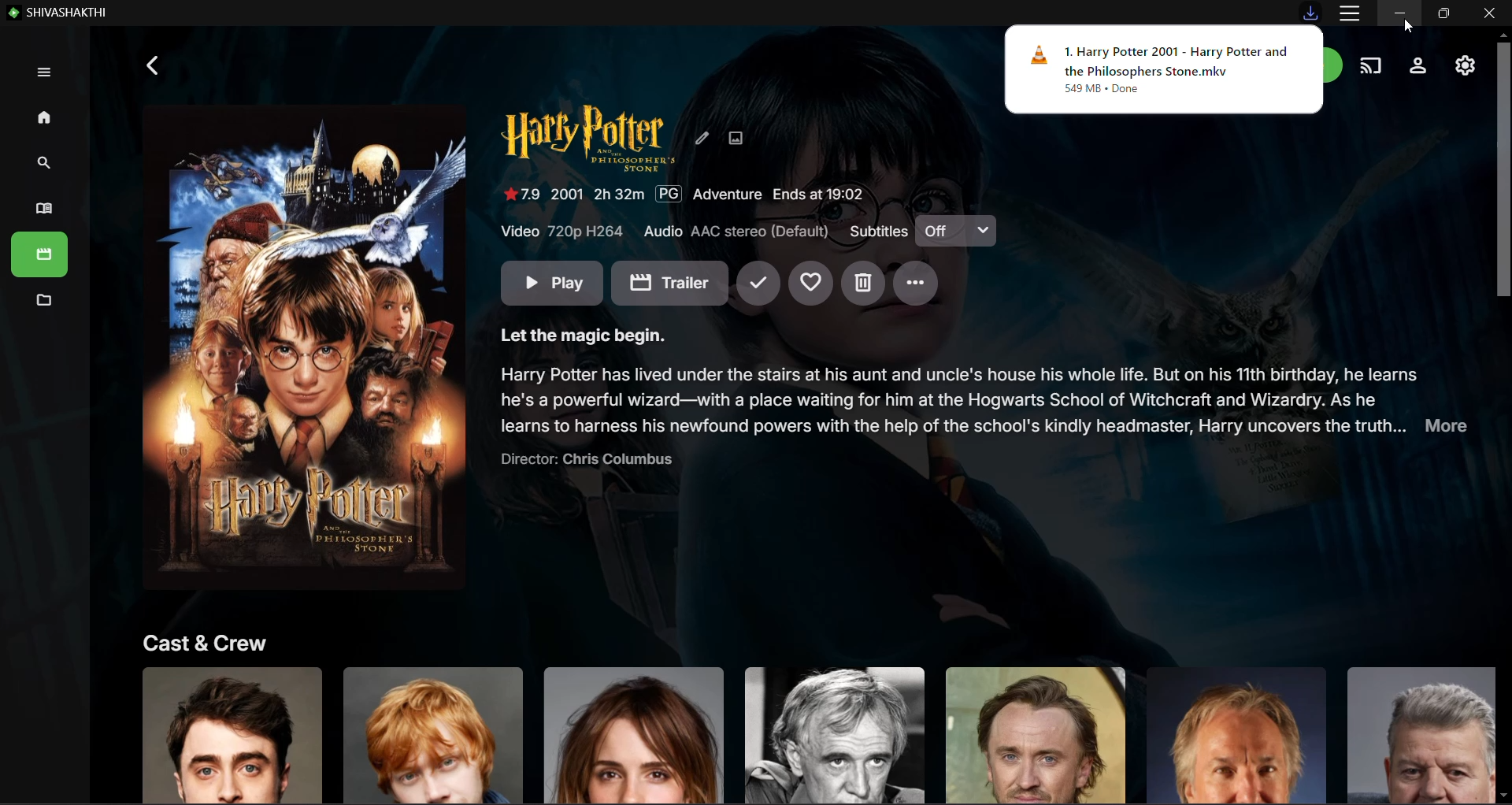 This screenshot has height=805, width=1512. I want to click on Download, so click(1310, 12).